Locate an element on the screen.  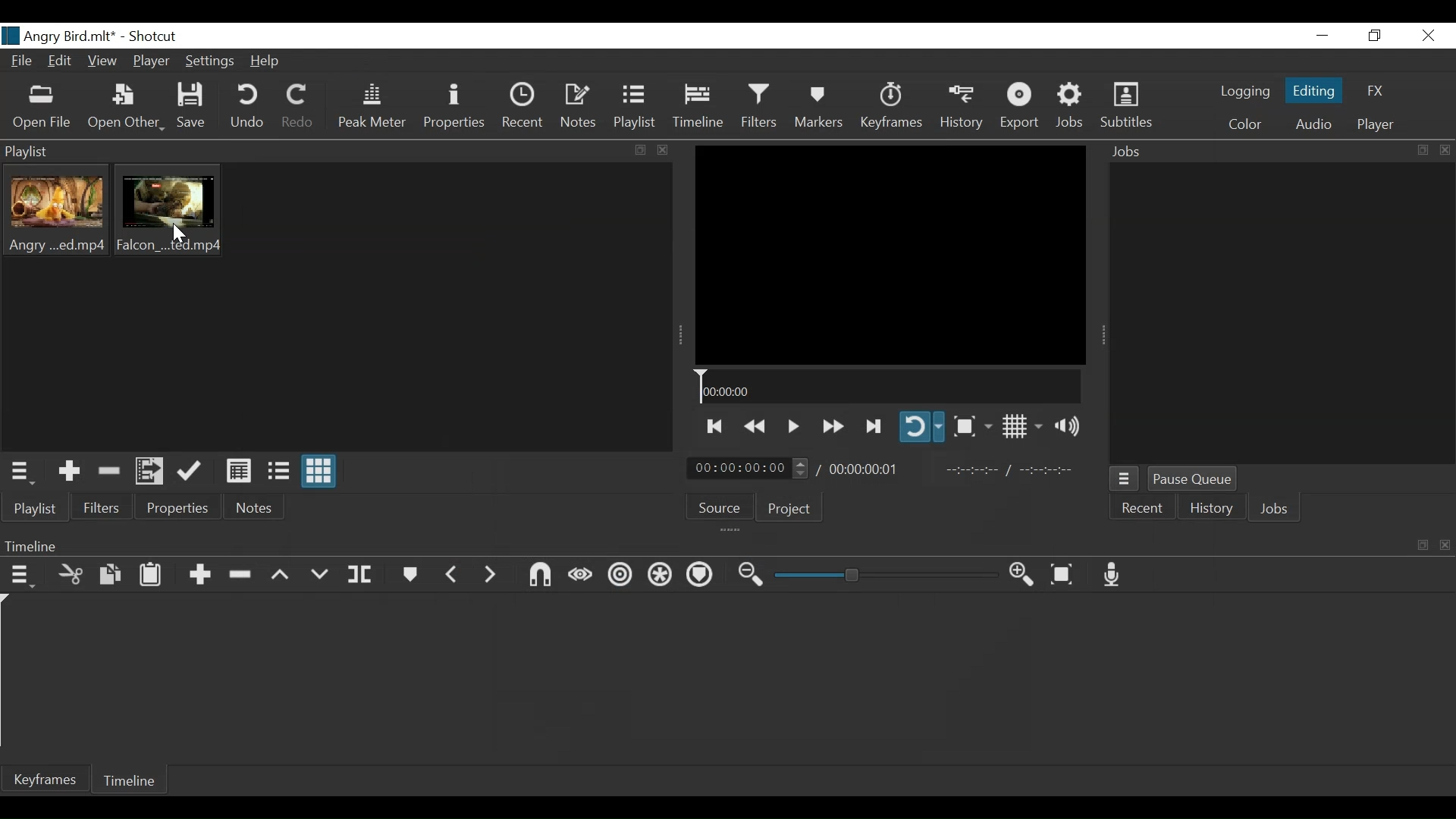
Project is located at coordinates (789, 508).